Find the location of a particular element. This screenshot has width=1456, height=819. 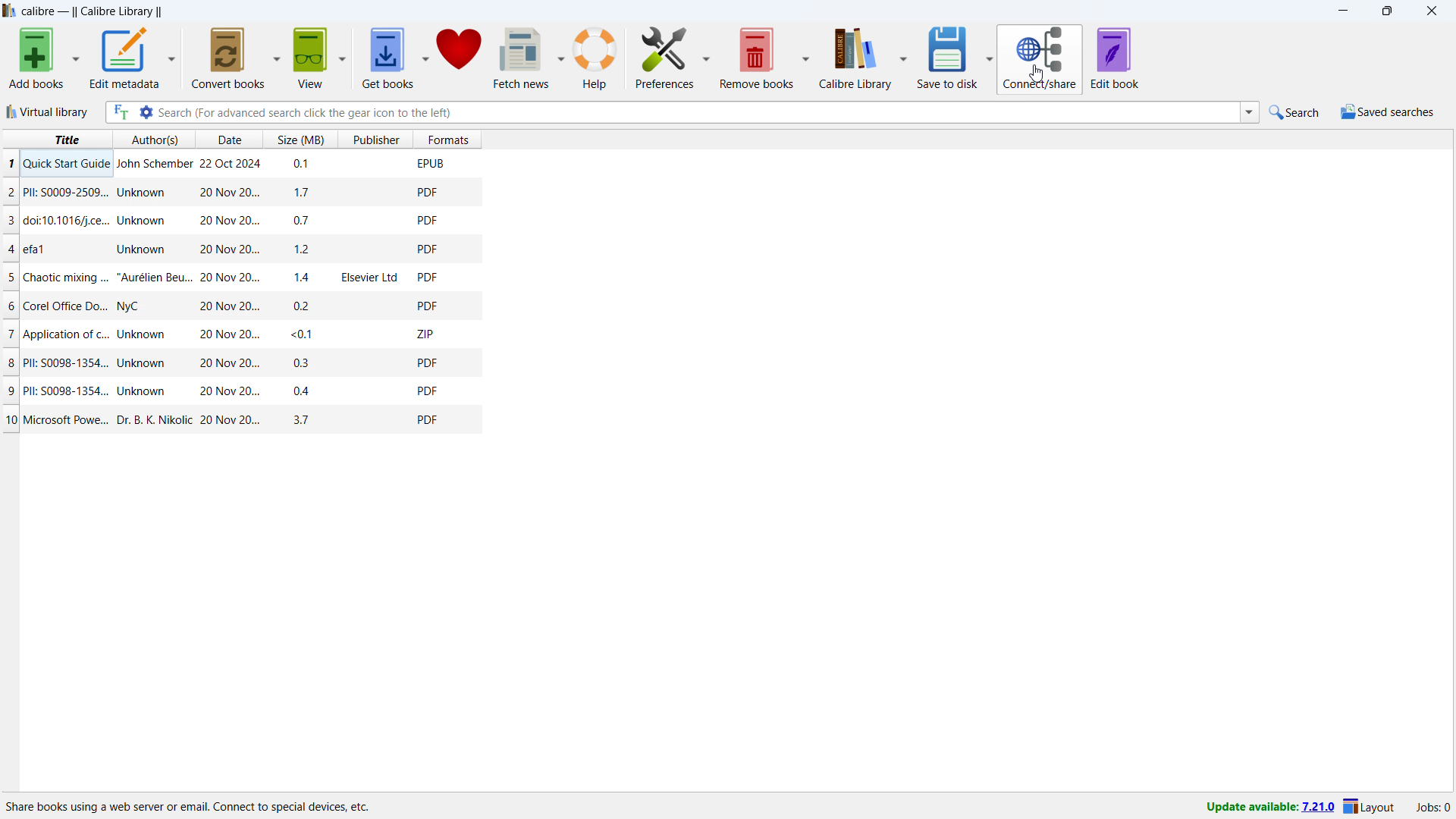

get books is located at coordinates (388, 58).